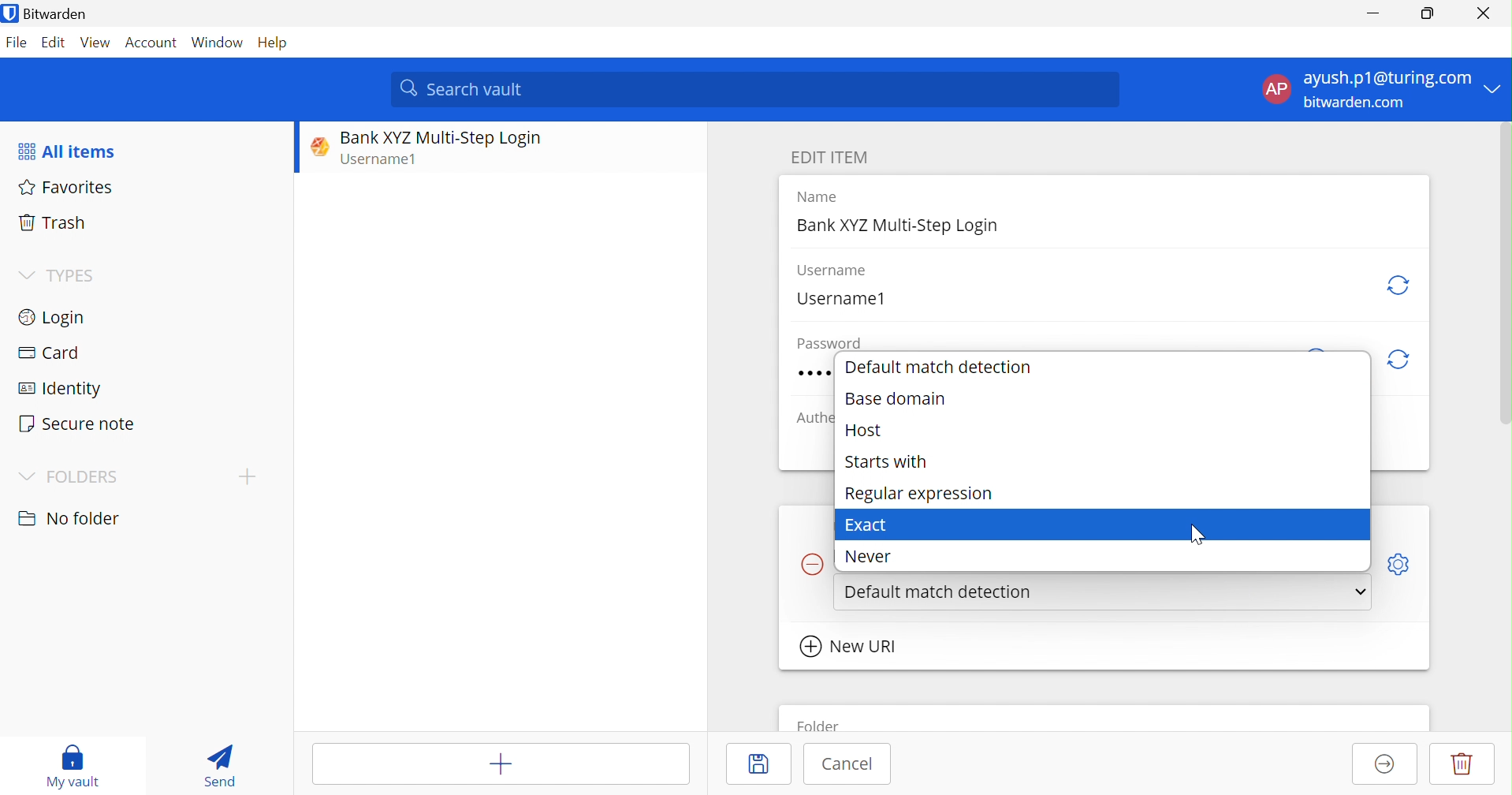 This screenshot has width=1512, height=795. Describe the element at coordinates (69, 188) in the screenshot. I see `Favorites` at that location.